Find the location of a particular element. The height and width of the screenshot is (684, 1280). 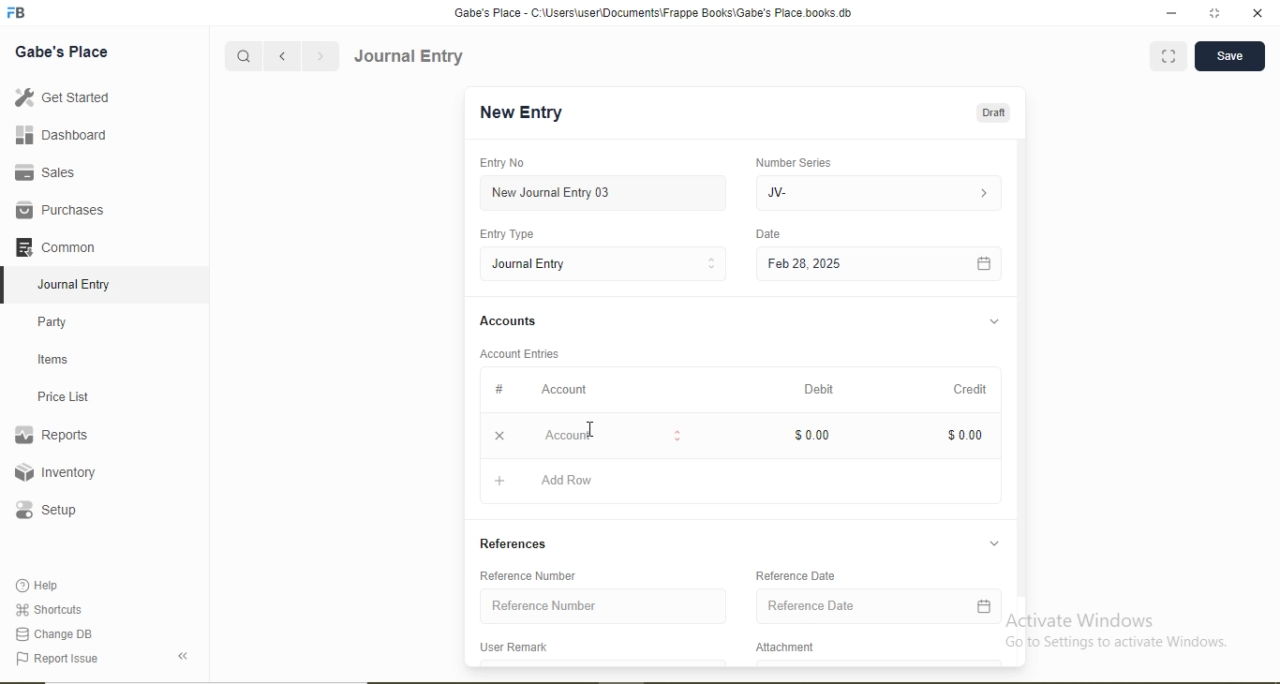

Add is located at coordinates (500, 481).